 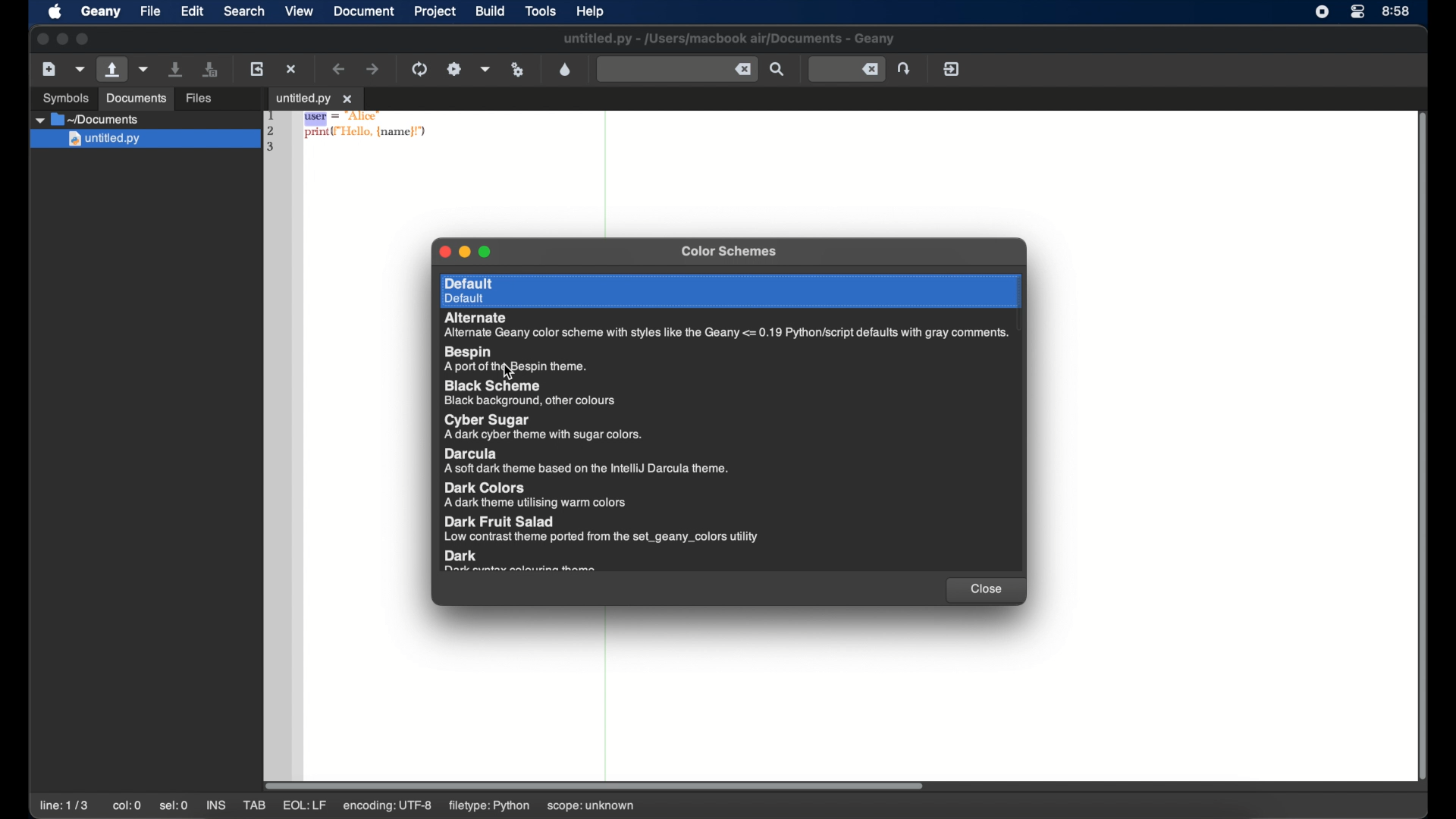 What do you see at coordinates (149, 11) in the screenshot?
I see `file` at bounding box center [149, 11].